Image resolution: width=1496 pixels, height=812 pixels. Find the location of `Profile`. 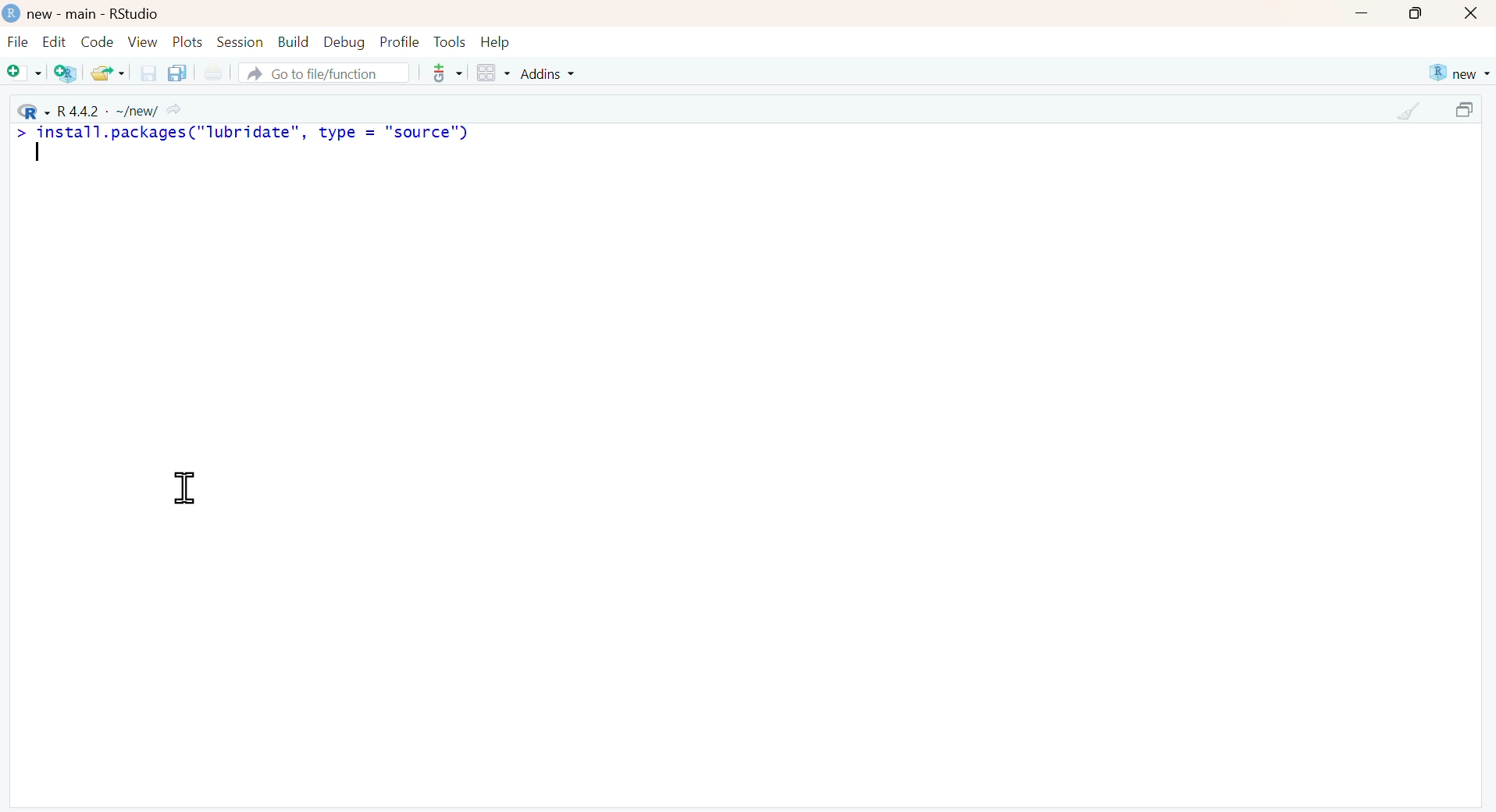

Profile is located at coordinates (400, 41).